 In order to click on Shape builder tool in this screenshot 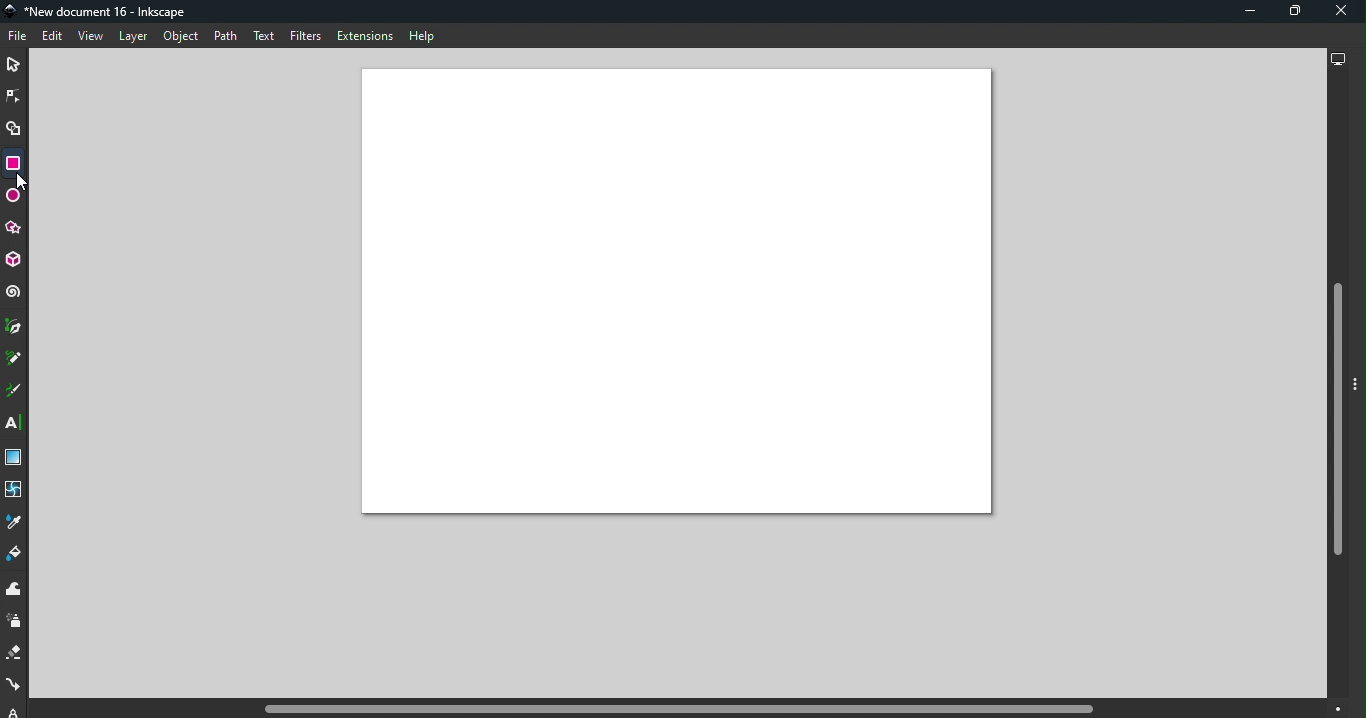, I will do `click(16, 132)`.